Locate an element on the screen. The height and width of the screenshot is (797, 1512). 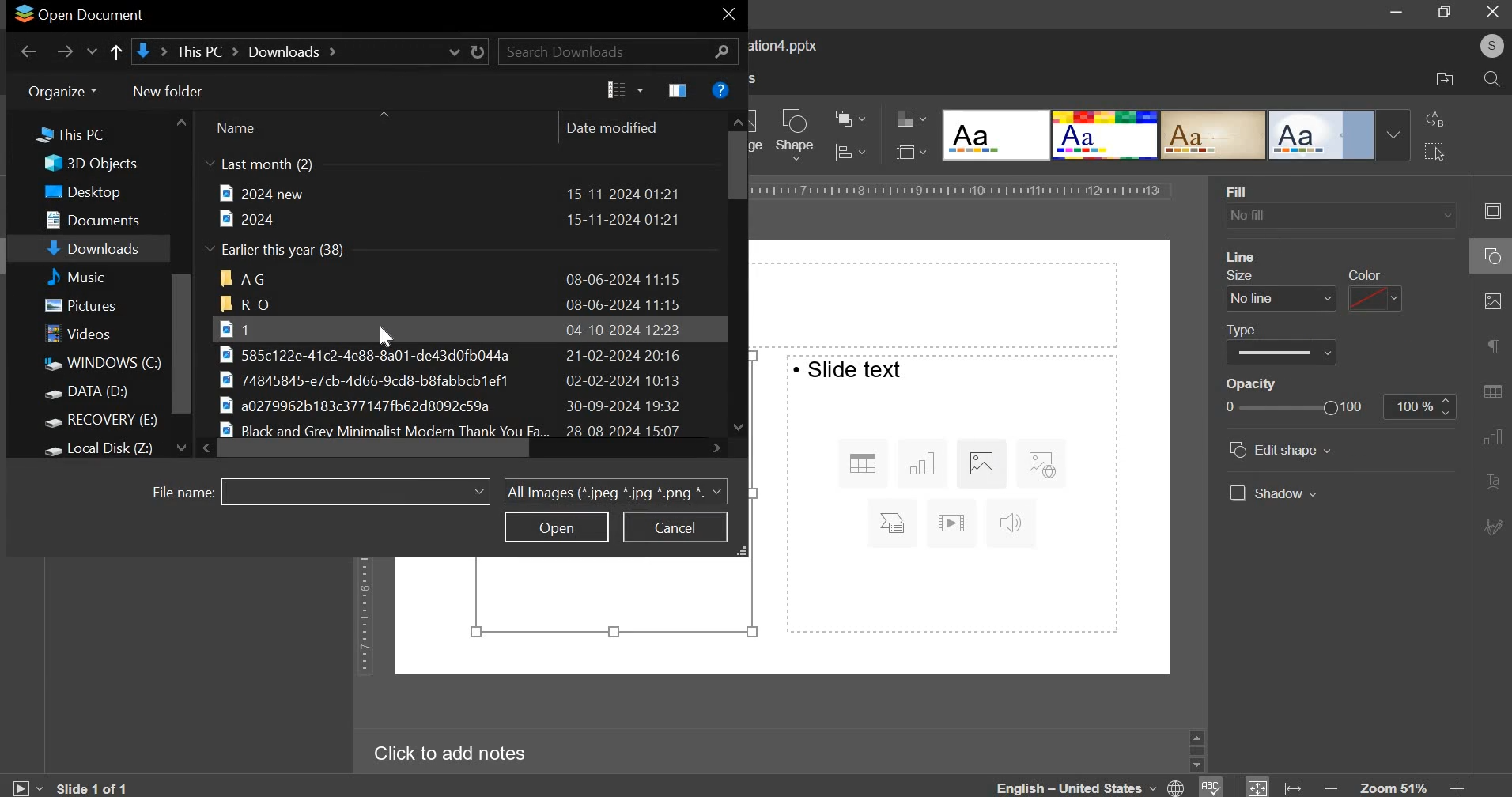
 is located at coordinates (1261, 383).